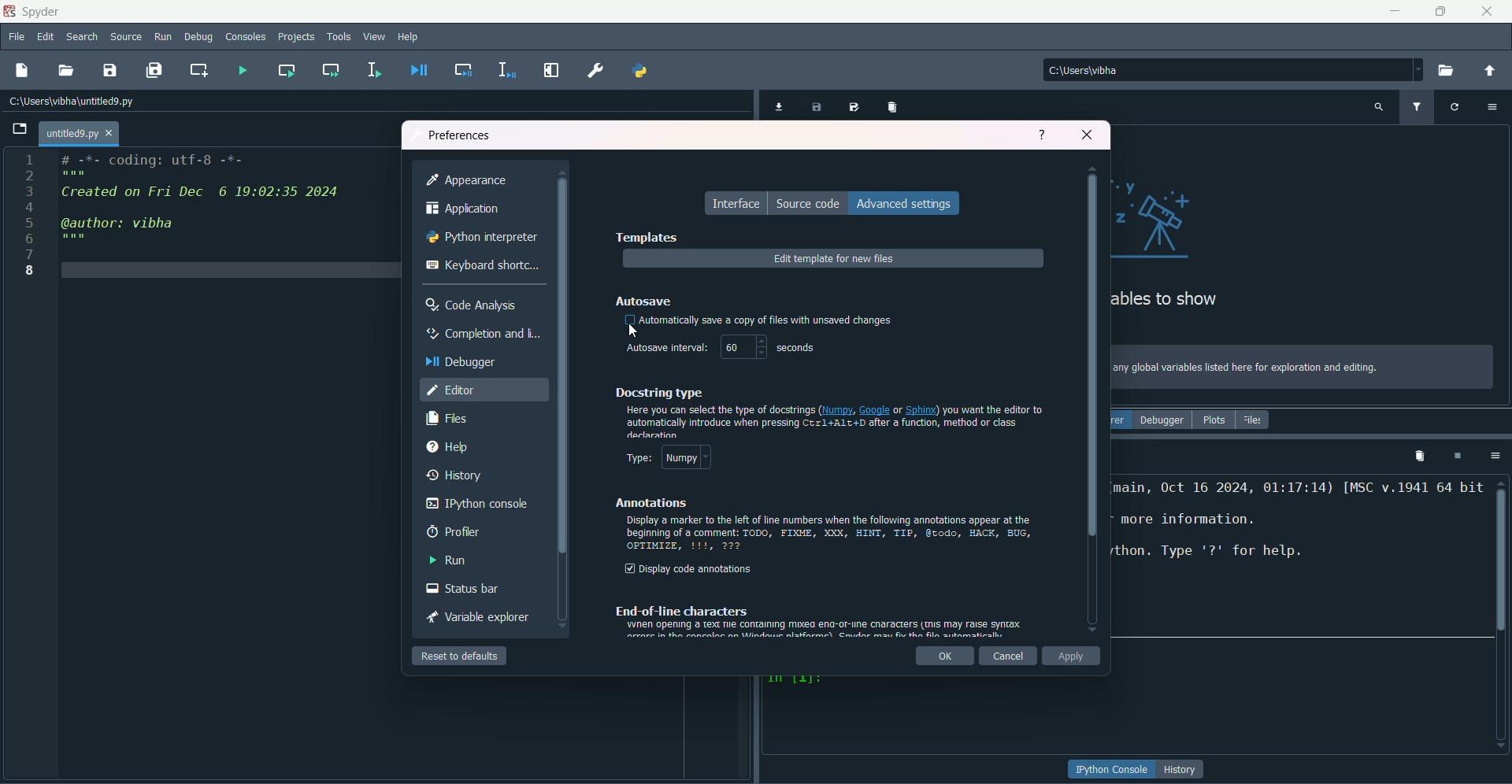  Describe the element at coordinates (1112, 69) in the screenshot. I see `file path` at that location.